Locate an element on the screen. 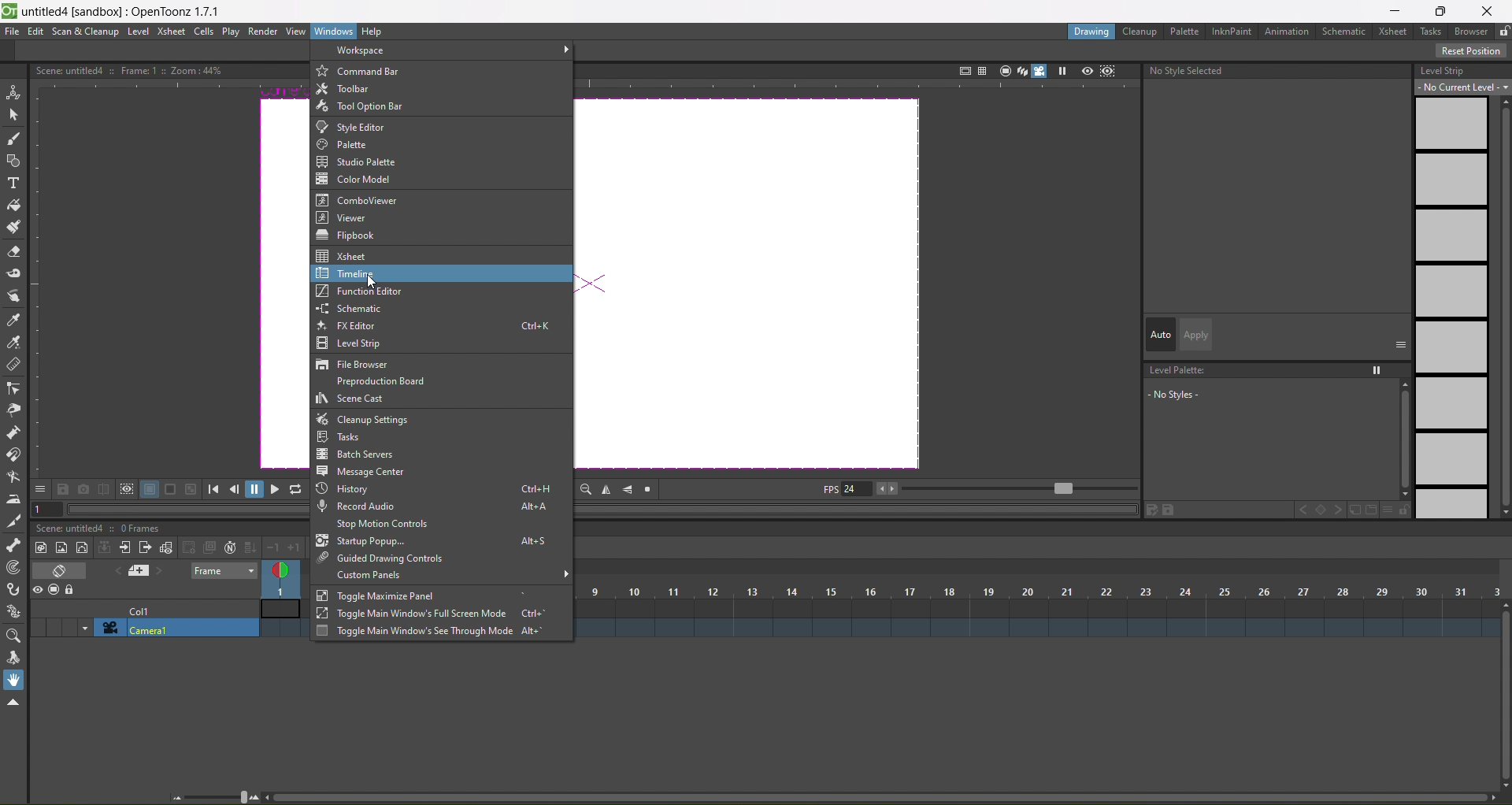 The width and height of the screenshot is (1512, 805). command bar is located at coordinates (361, 72).